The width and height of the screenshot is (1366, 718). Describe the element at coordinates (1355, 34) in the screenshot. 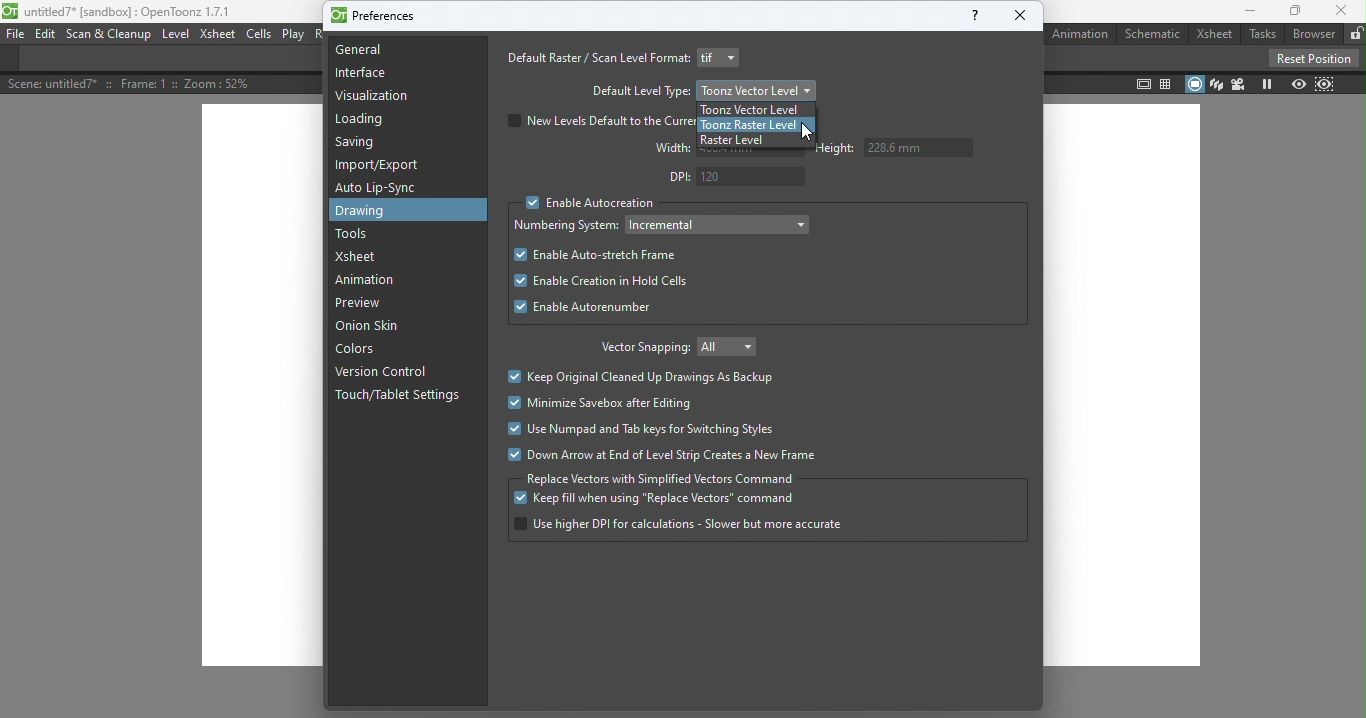

I see `Lock rooms tab` at that location.